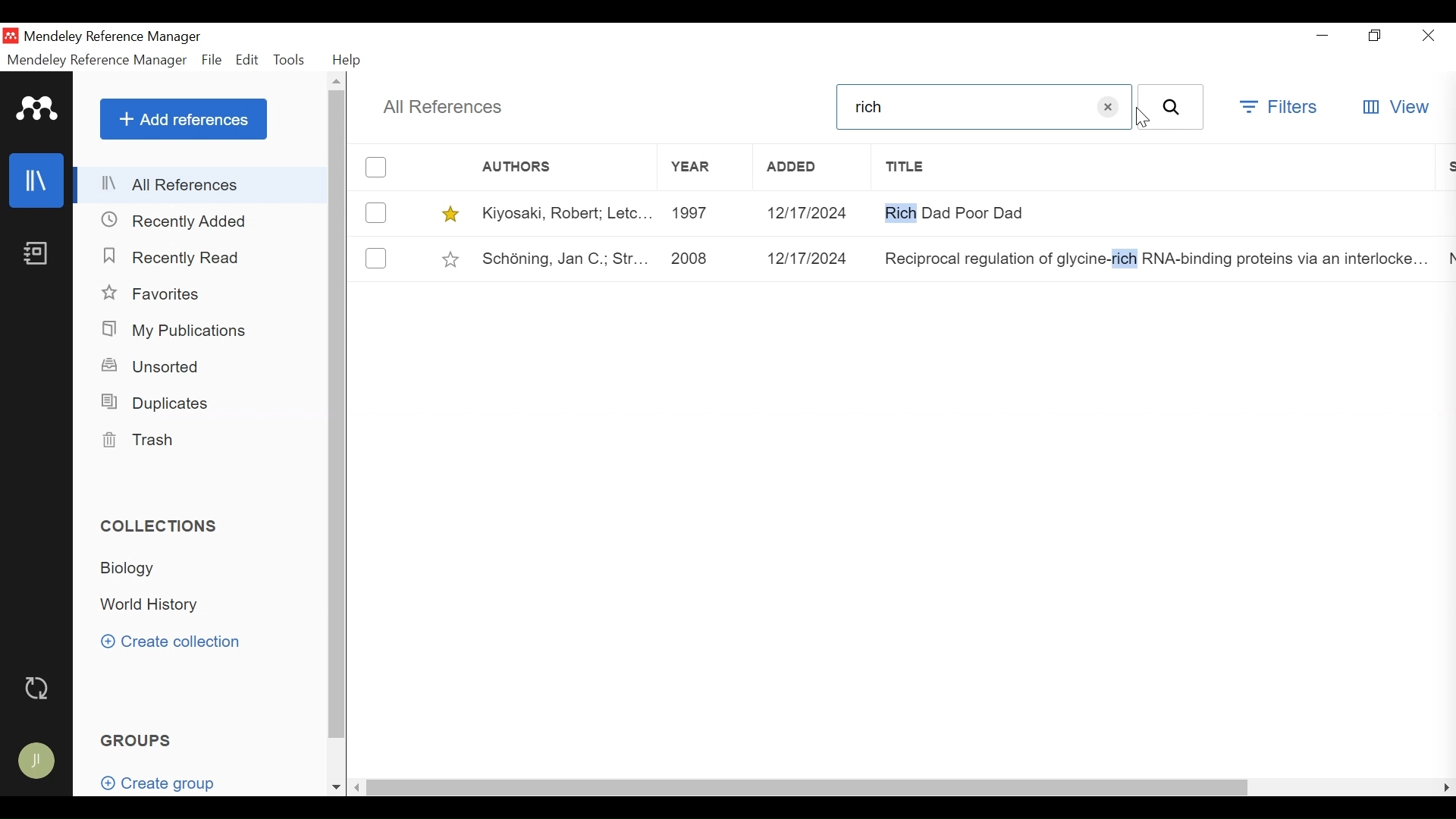  I want to click on Add References, so click(183, 118).